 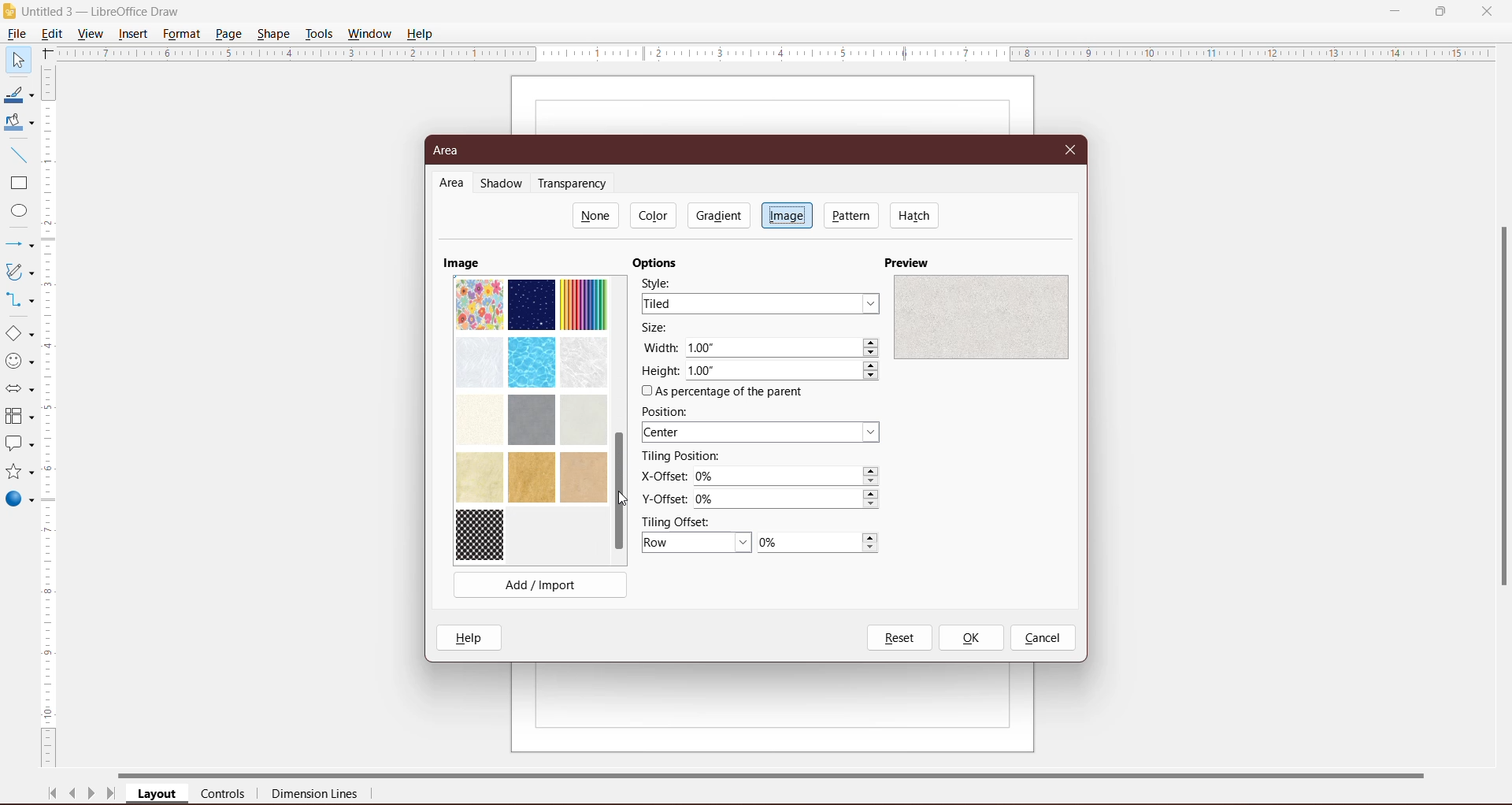 I want to click on 3D objects, so click(x=19, y=501).